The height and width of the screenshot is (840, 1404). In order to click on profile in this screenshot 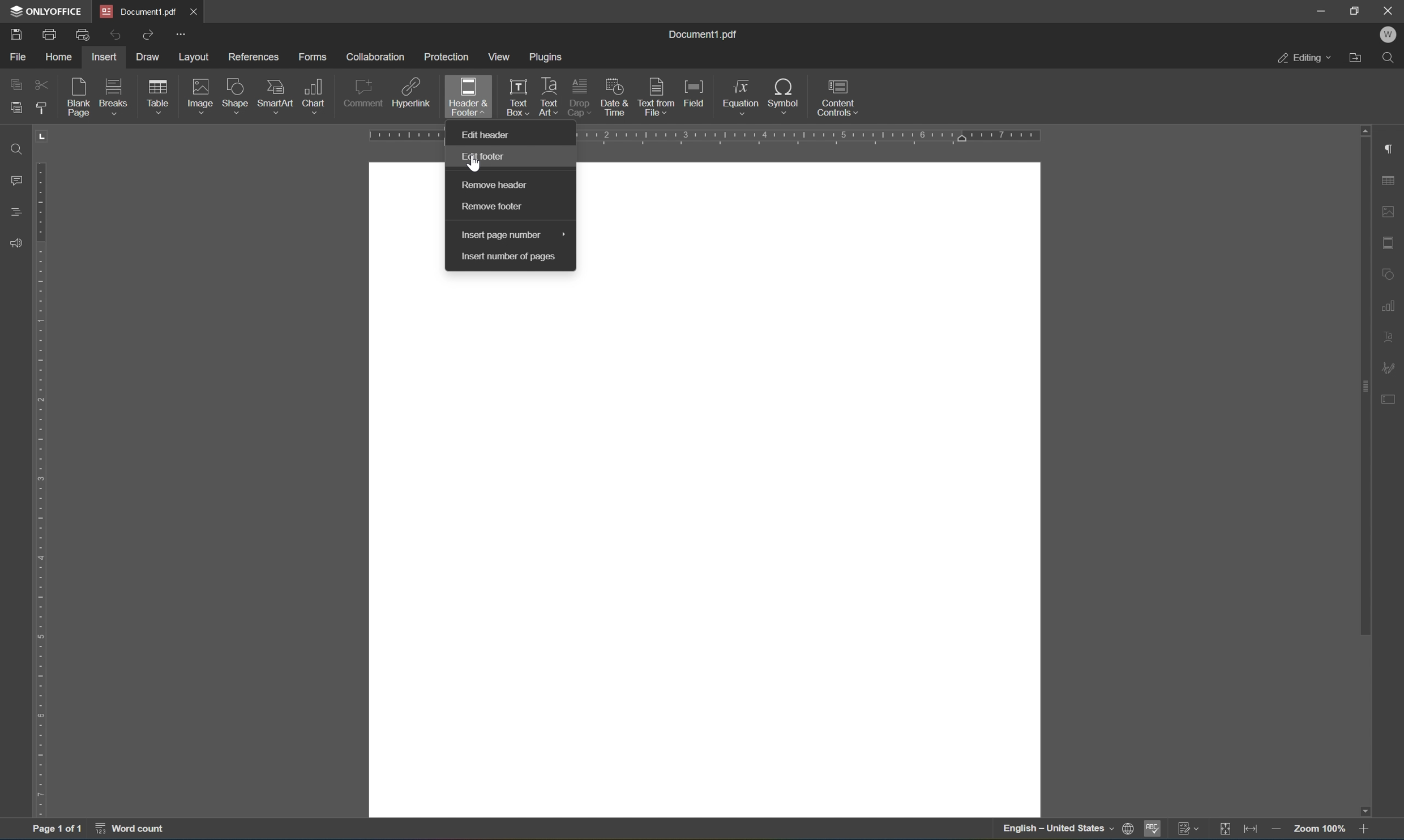, I will do `click(1391, 36)`.